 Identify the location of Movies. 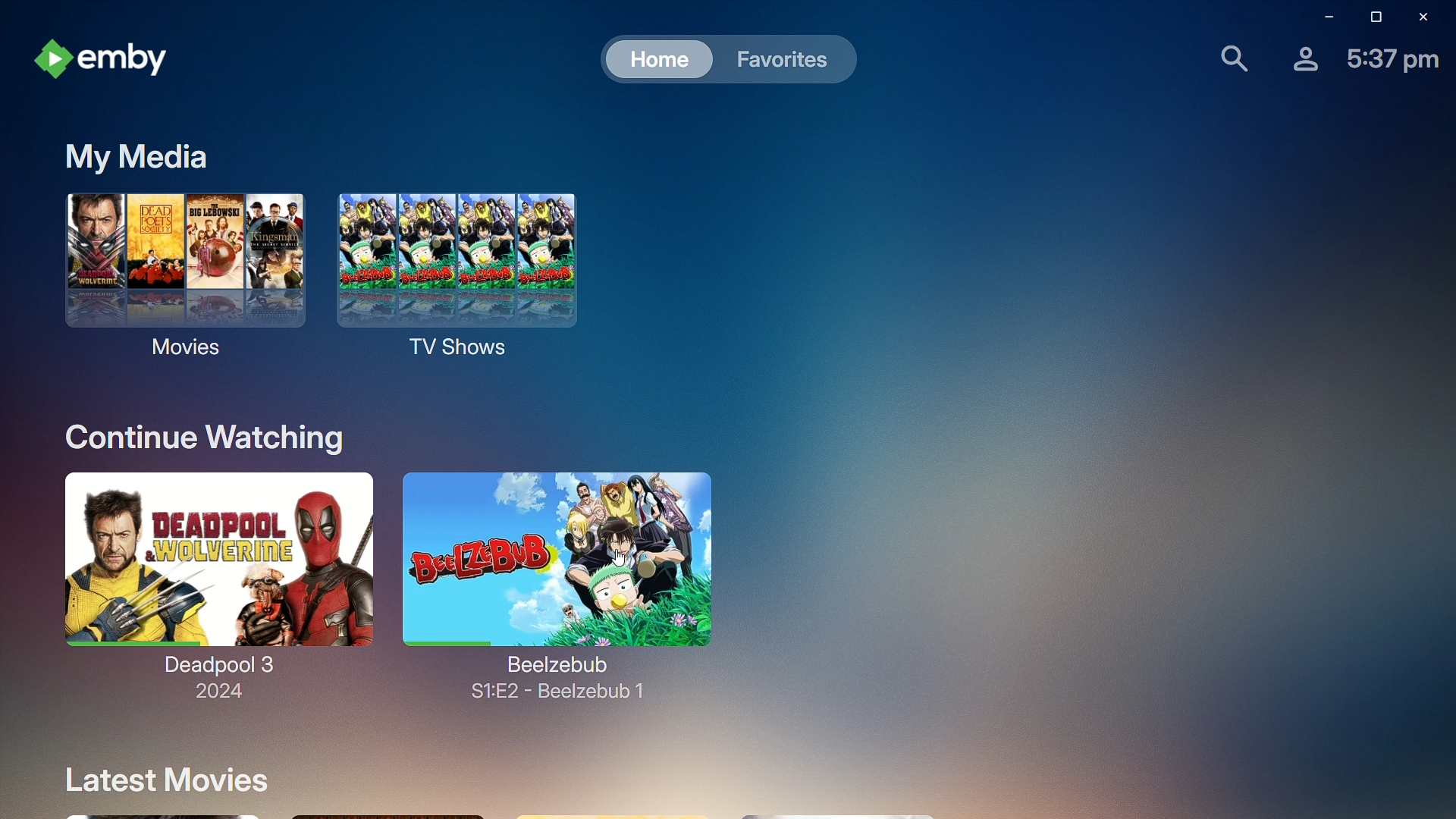
(178, 282).